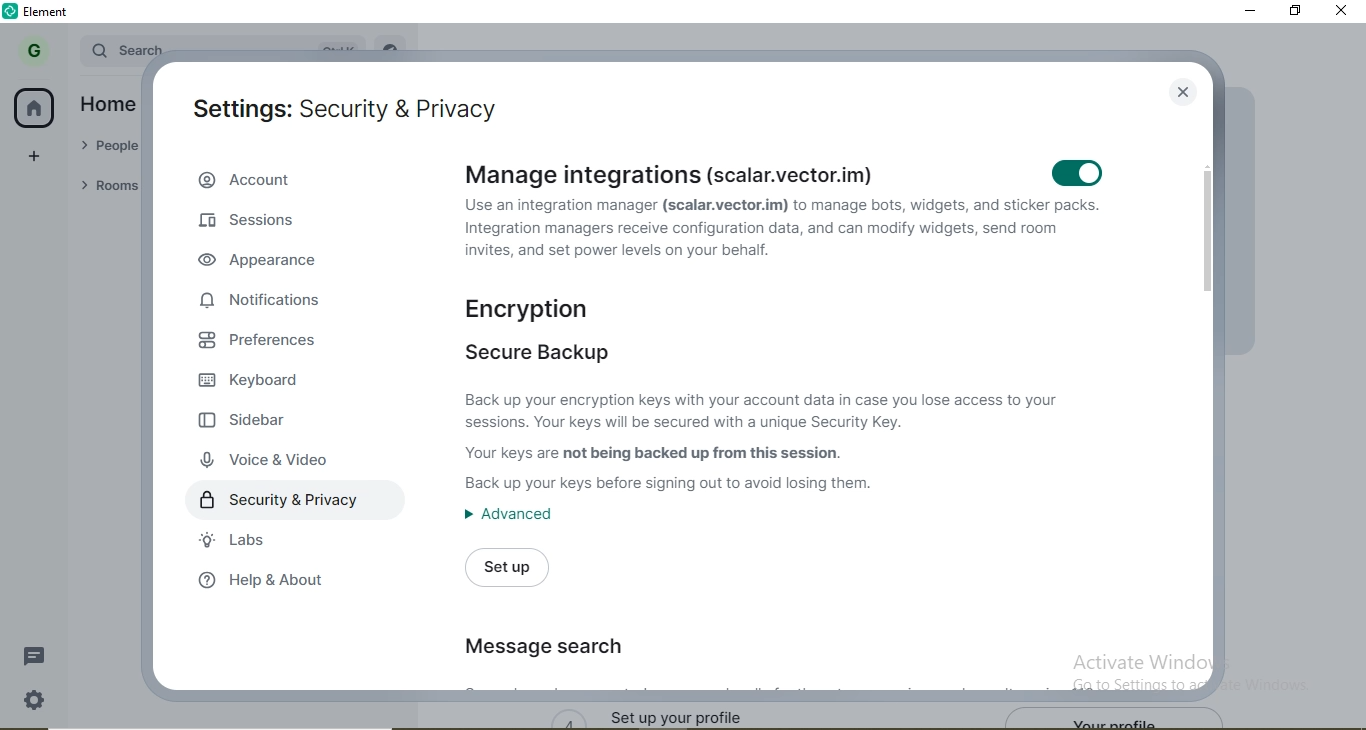 This screenshot has width=1366, height=730. I want to click on Text2, so click(770, 441).